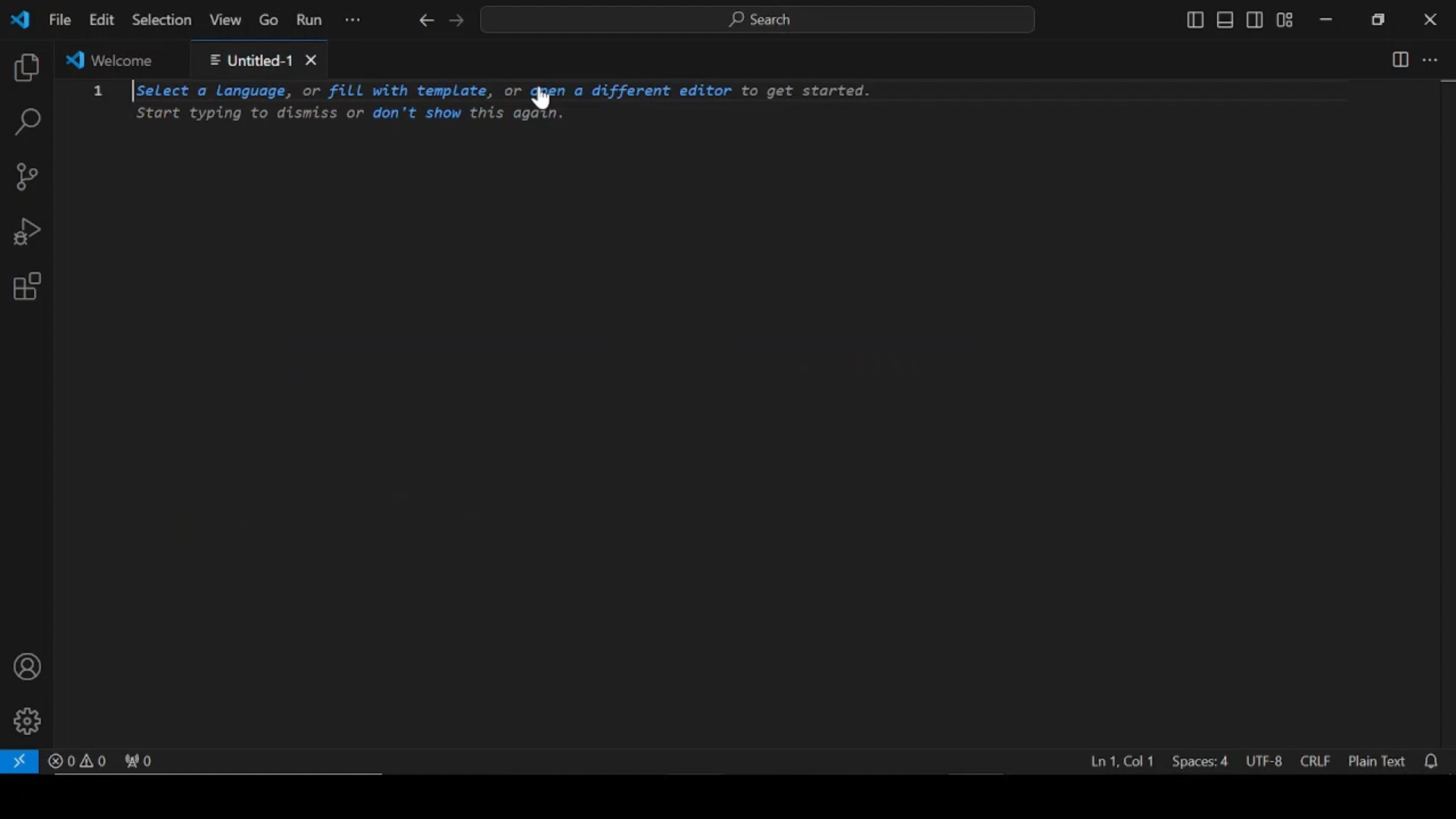 The image size is (1456, 819). Describe the element at coordinates (19, 20) in the screenshot. I see `vscode` at that location.